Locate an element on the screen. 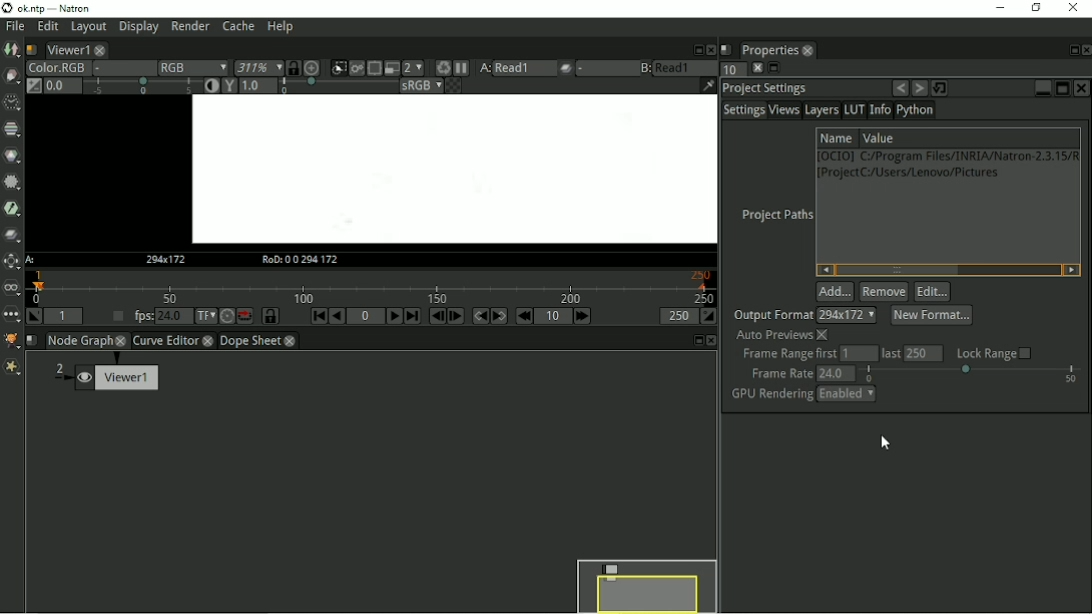  Auto-contrast is located at coordinates (212, 86).